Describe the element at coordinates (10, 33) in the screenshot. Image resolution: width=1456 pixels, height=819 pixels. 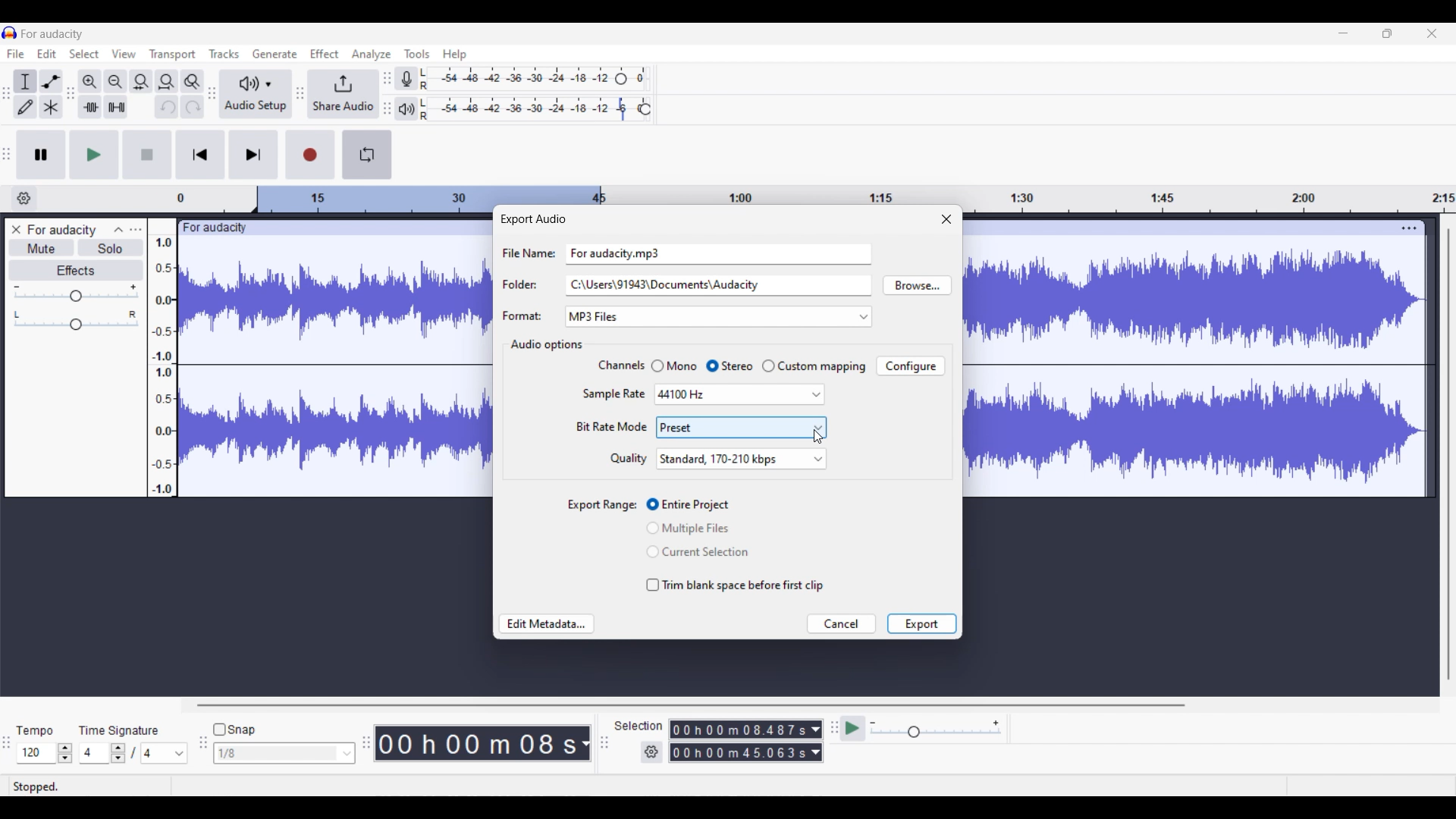
I see `Software logo` at that location.